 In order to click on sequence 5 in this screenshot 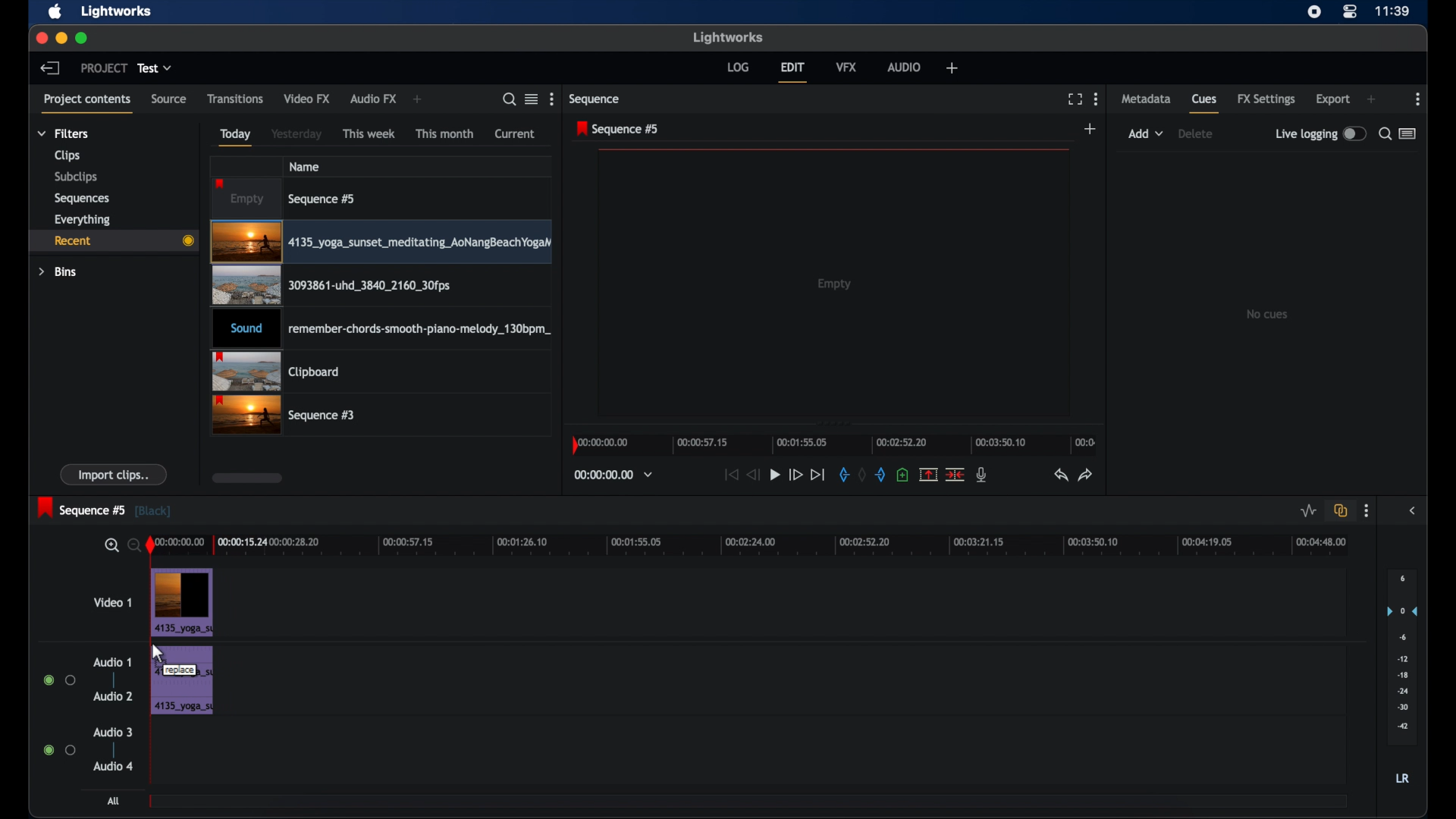, I will do `click(105, 509)`.